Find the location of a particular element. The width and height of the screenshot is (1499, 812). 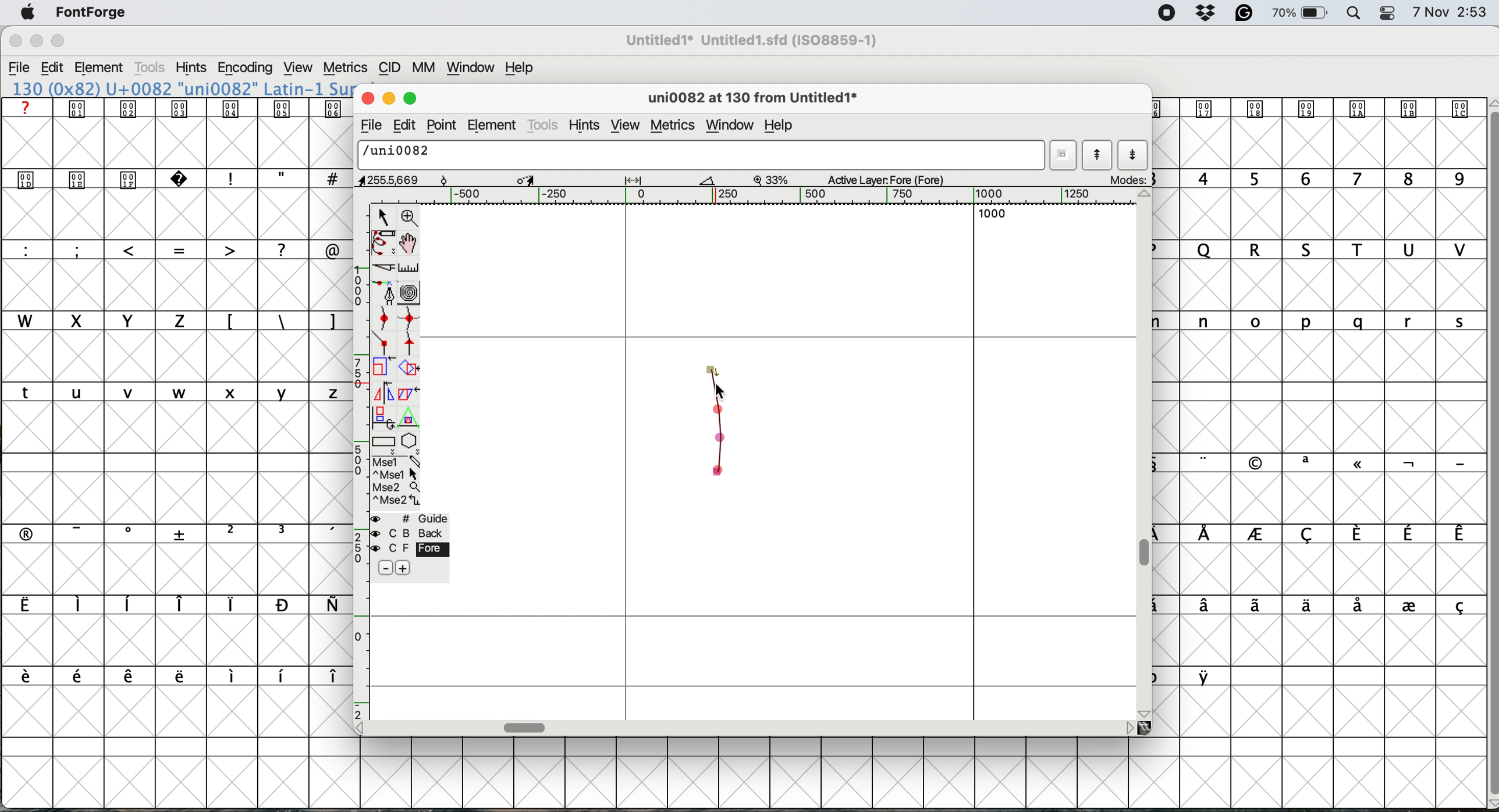

element is located at coordinates (105, 67).